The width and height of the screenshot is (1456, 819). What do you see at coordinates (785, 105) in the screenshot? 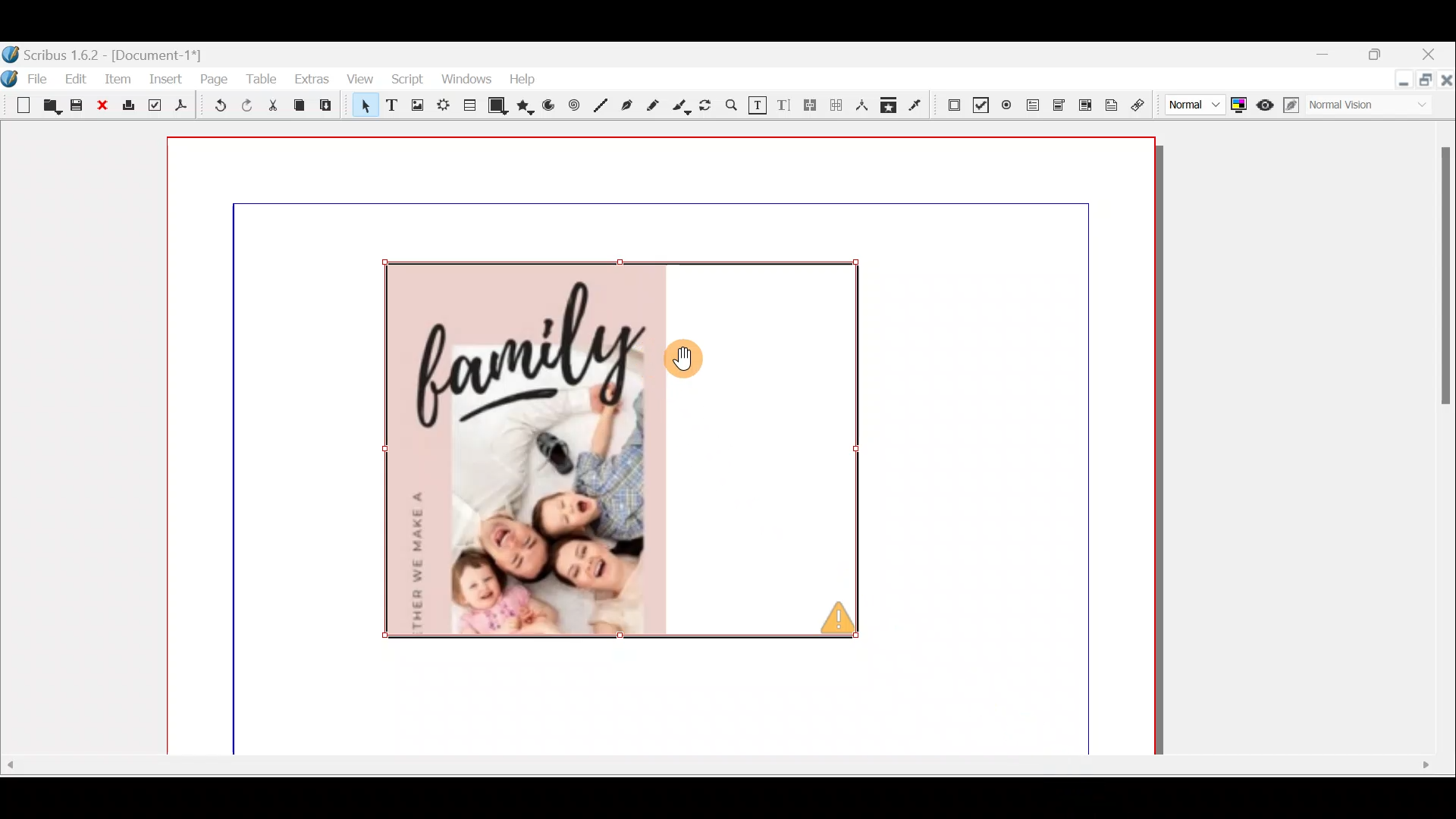
I see `Edit text with story editor` at bounding box center [785, 105].